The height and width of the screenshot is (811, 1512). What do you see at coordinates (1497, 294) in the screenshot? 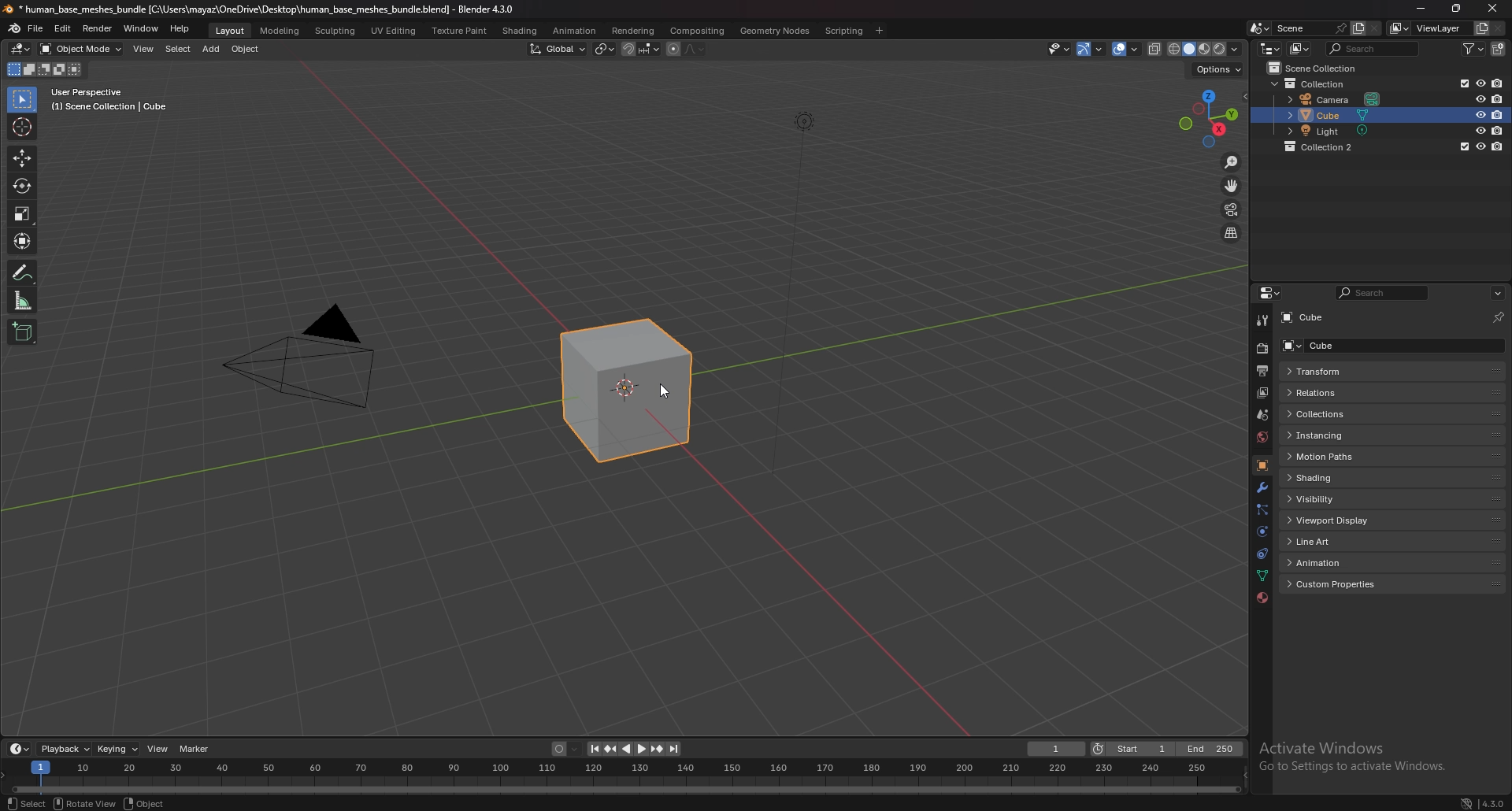
I see `options` at bounding box center [1497, 294].